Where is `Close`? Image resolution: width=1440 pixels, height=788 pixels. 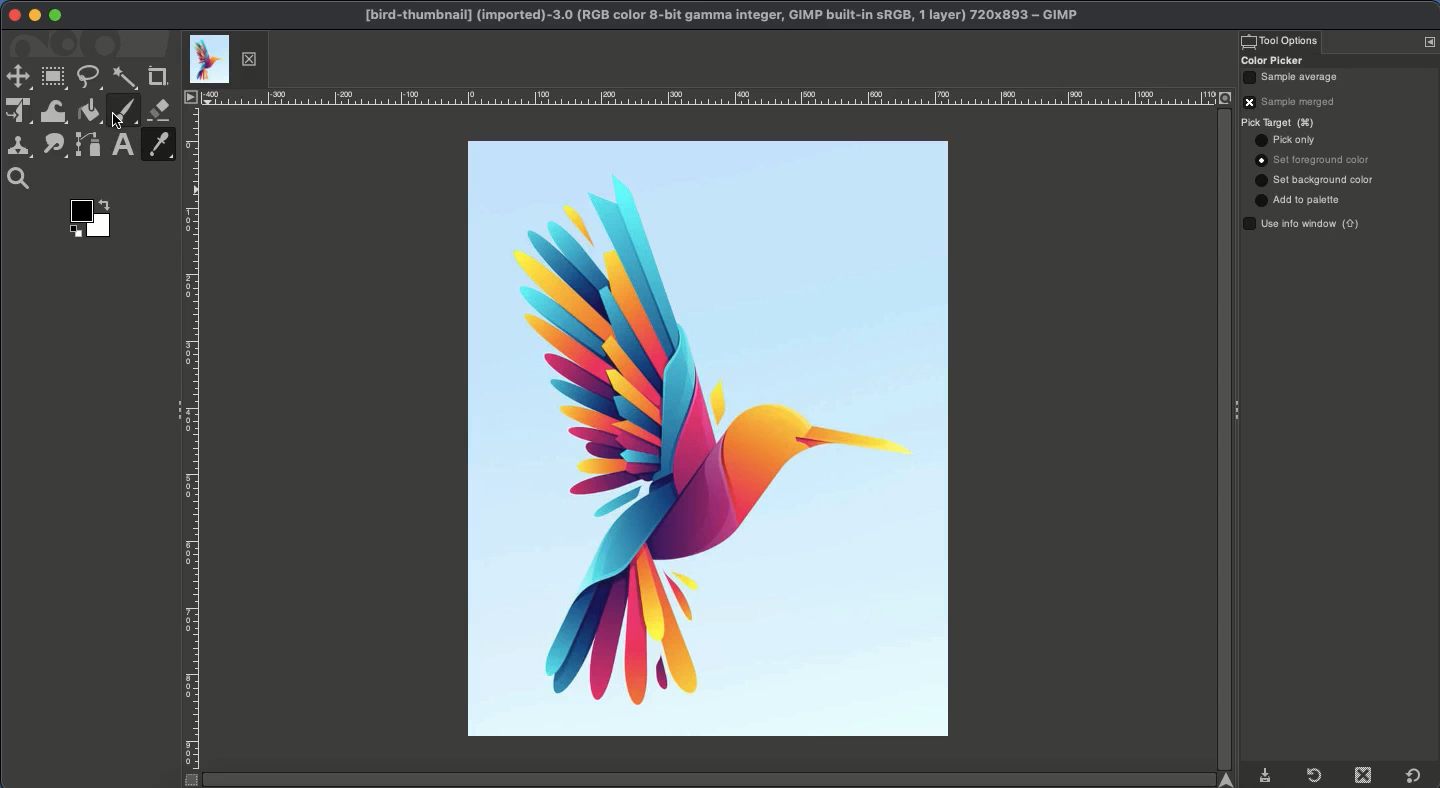 Close is located at coordinates (15, 16).